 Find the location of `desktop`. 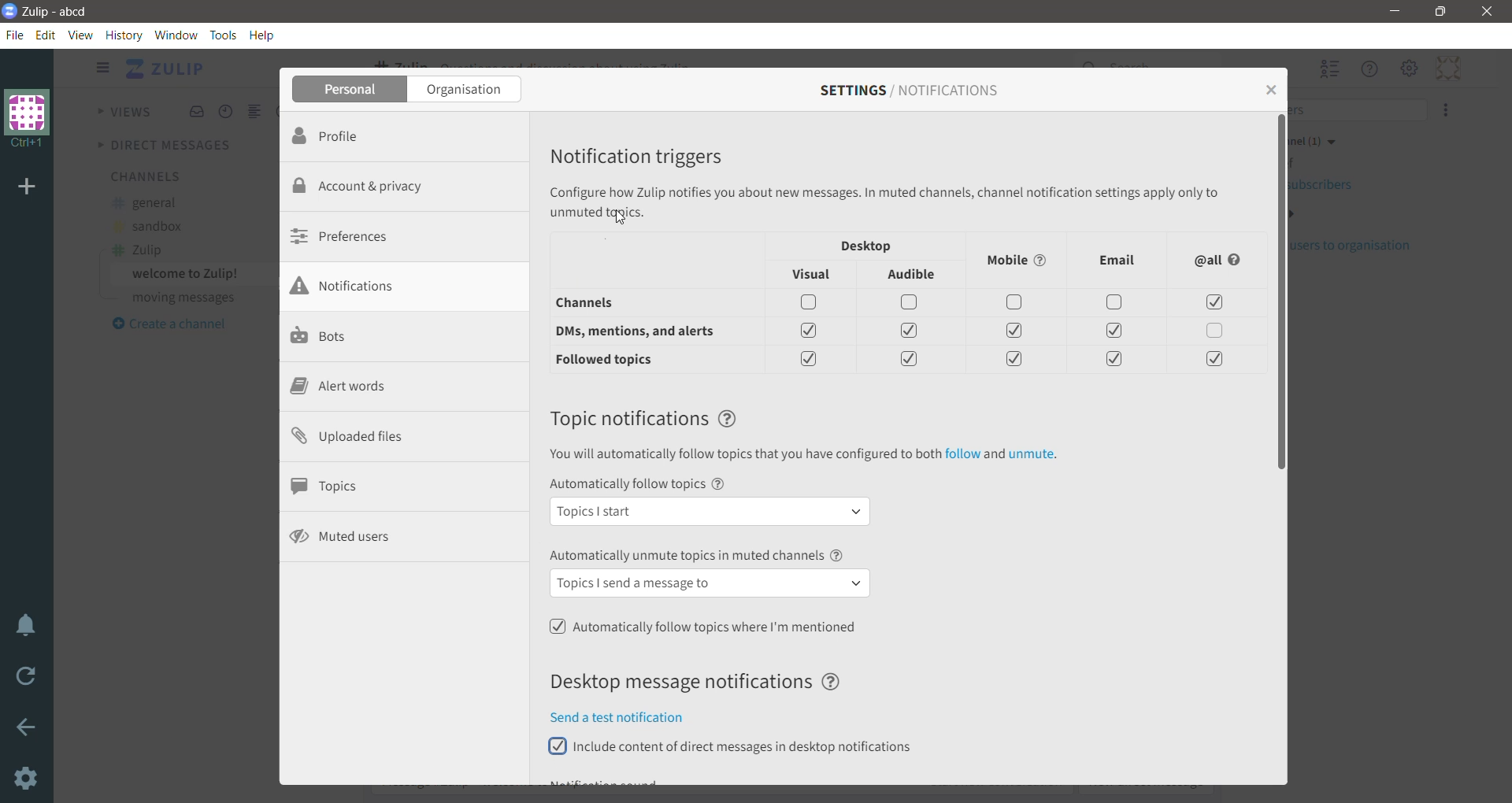

desktop is located at coordinates (868, 245).